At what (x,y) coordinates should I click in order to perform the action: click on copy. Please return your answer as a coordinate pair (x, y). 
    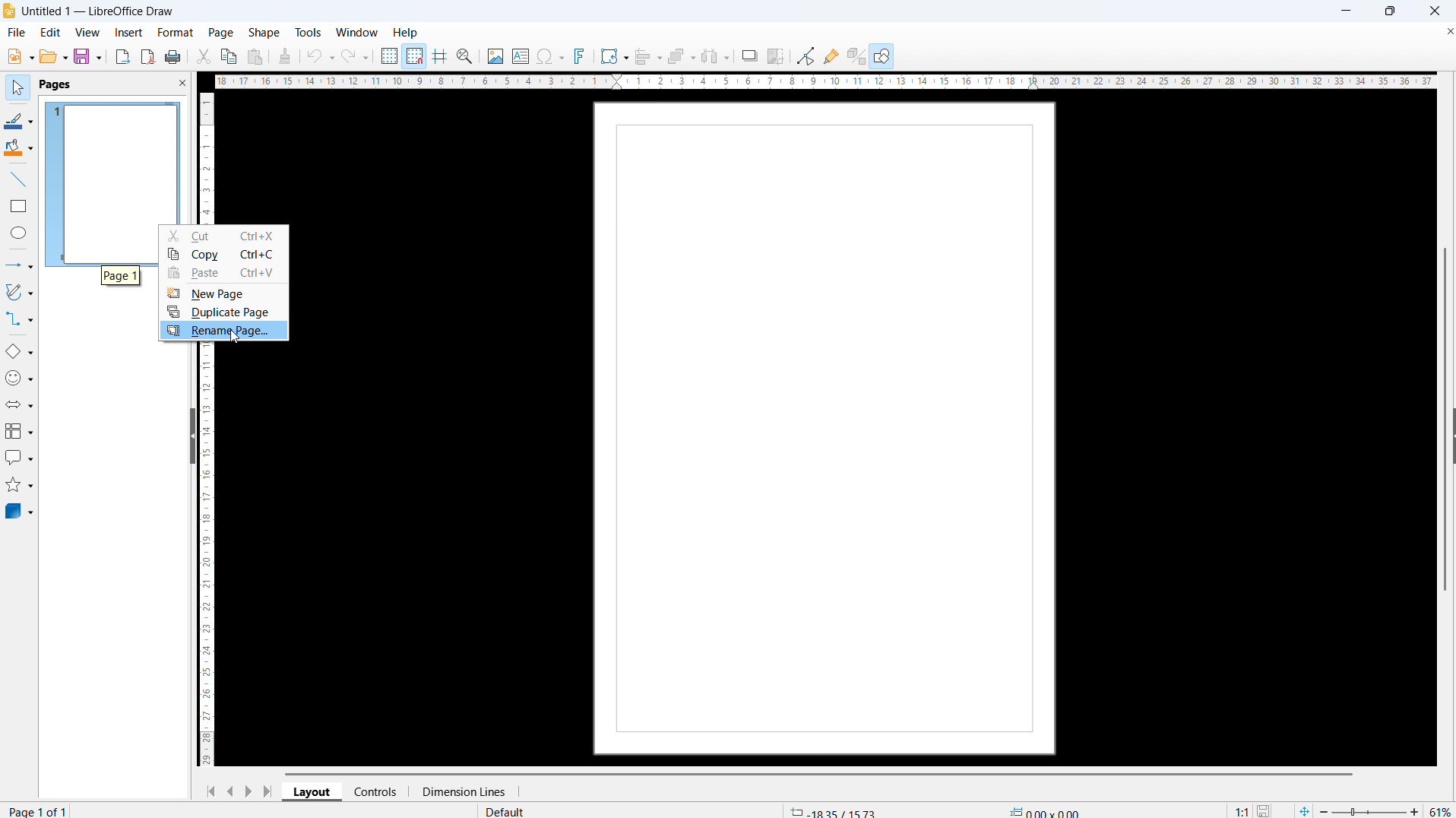
    Looking at the image, I should click on (228, 55).